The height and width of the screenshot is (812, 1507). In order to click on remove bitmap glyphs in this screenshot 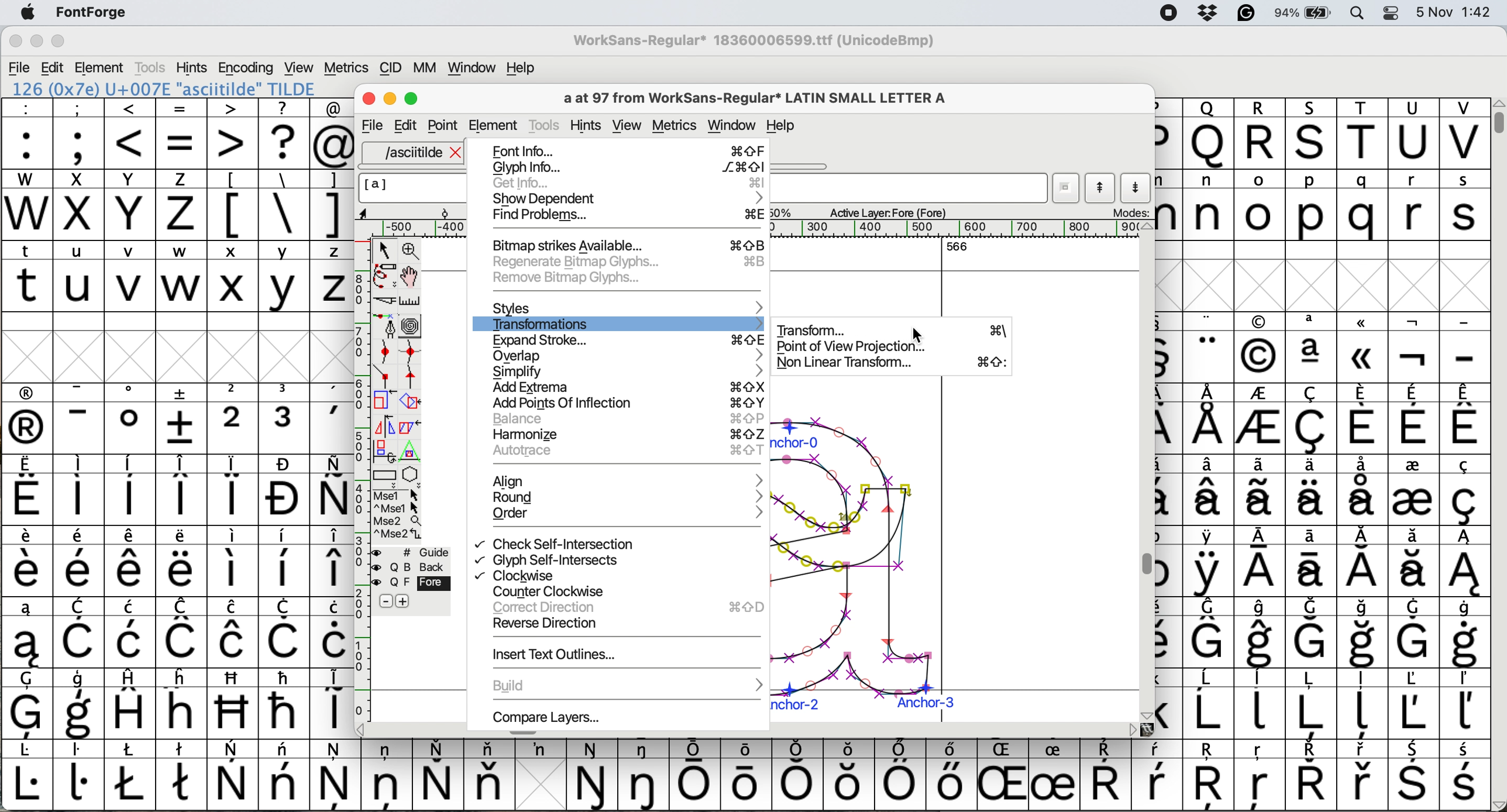, I will do `click(571, 278)`.